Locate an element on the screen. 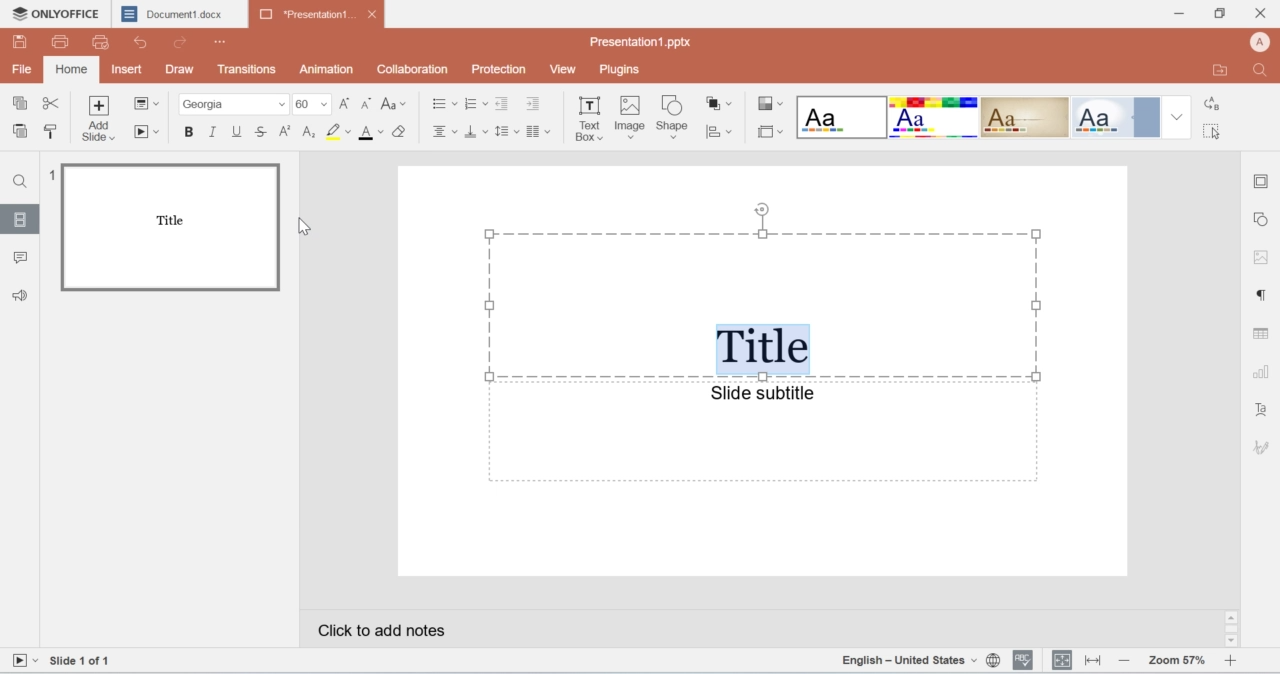 This screenshot has height=674, width=1280. search is located at coordinates (1265, 70).